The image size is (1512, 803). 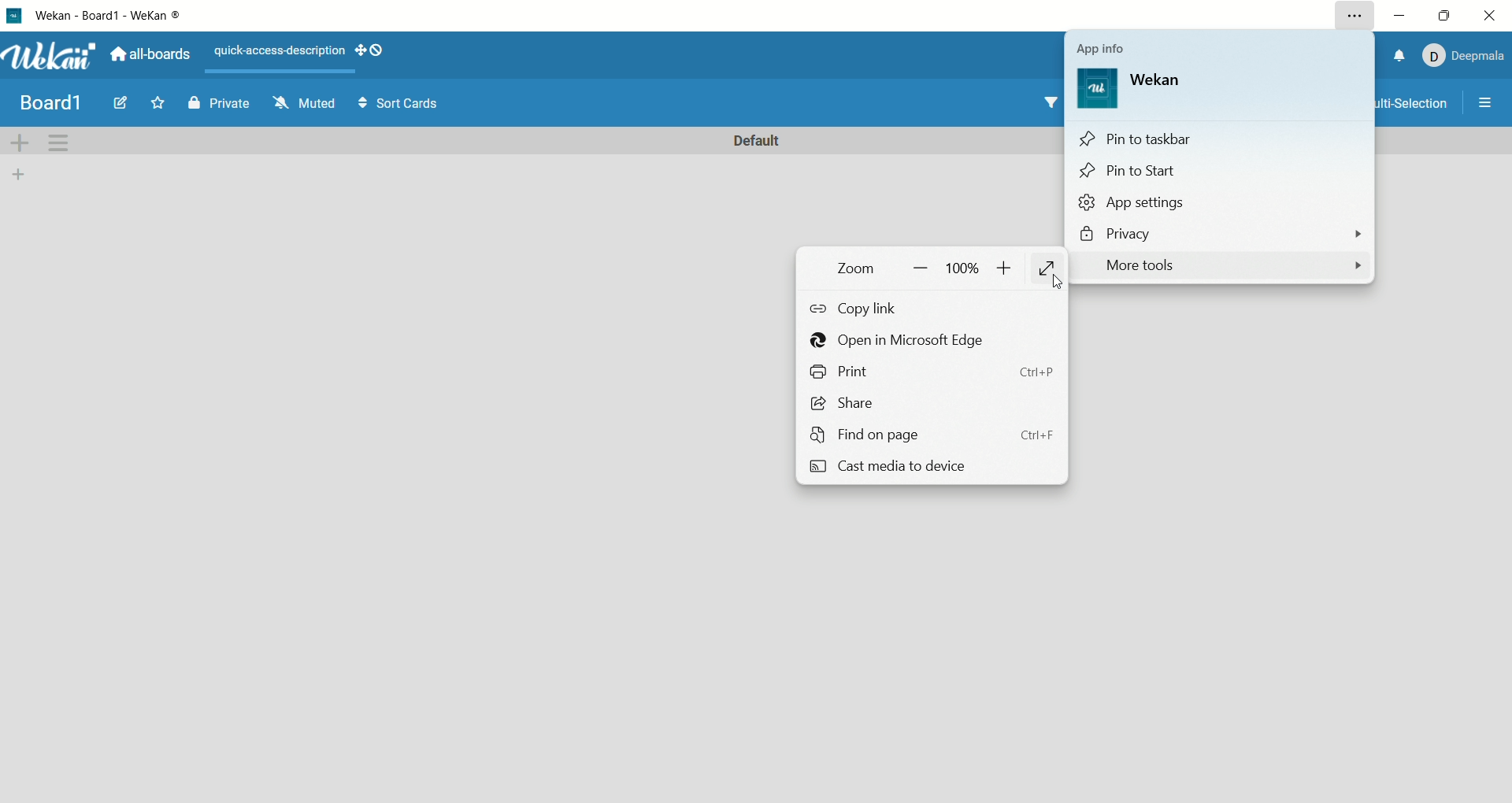 What do you see at coordinates (115, 14) in the screenshot?
I see `title` at bounding box center [115, 14].